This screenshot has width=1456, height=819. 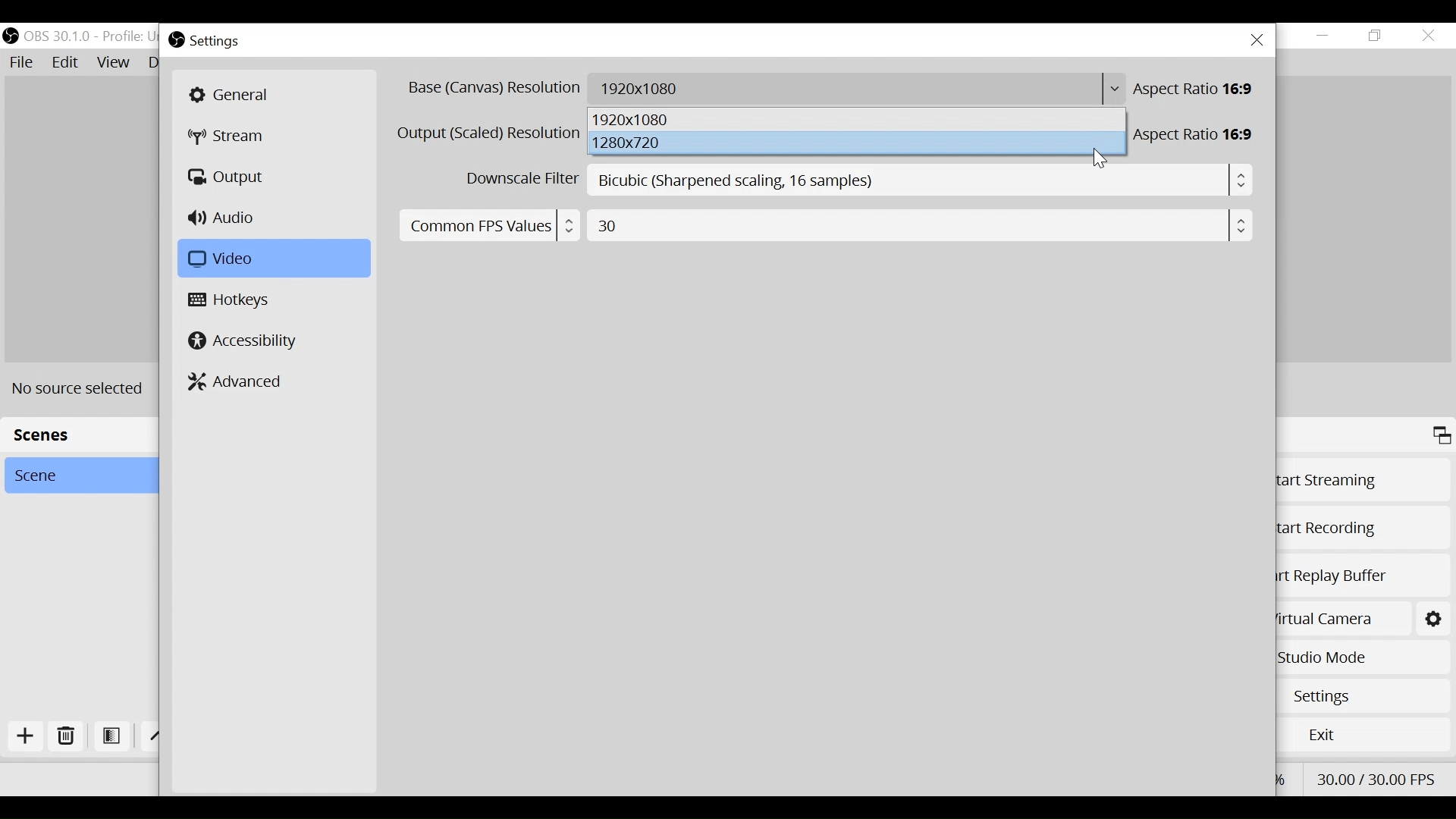 What do you see at coordinates (233, 301) in the screenshot?
I see `Hotkeys` at bounding box center [233, 301].